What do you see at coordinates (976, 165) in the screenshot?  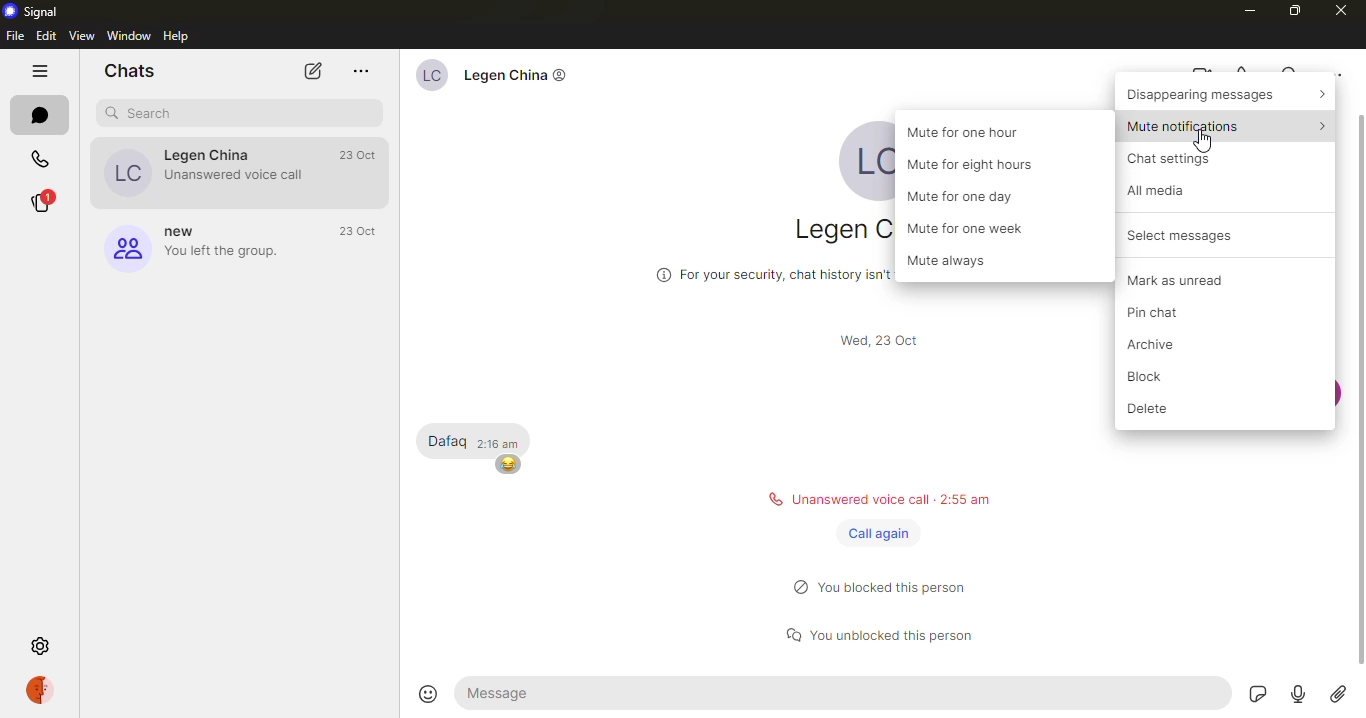 I see `mute for 8 hour` at bounding box center [976, 165].